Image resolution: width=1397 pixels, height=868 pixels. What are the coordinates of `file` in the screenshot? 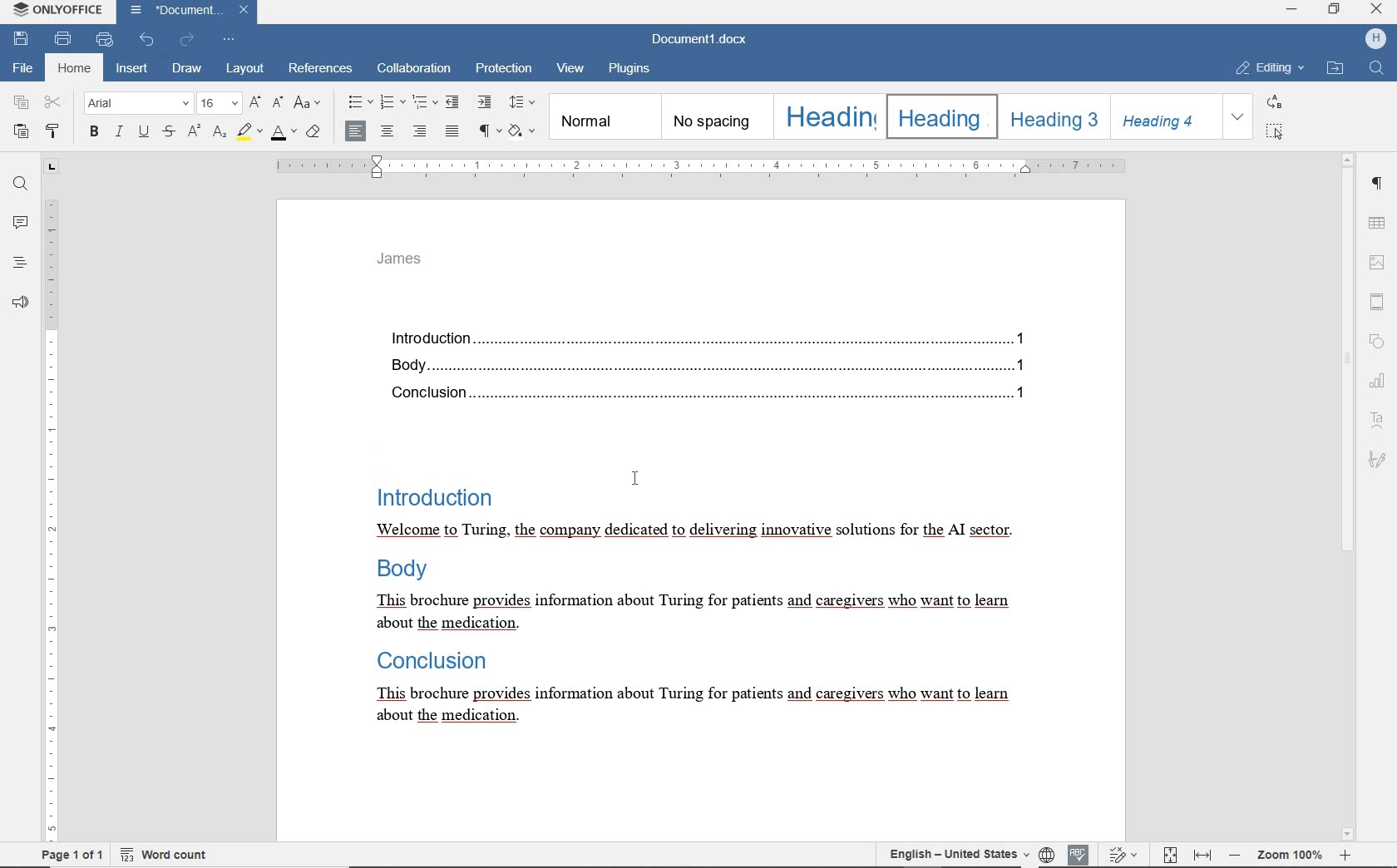 It's located at (21, 69).